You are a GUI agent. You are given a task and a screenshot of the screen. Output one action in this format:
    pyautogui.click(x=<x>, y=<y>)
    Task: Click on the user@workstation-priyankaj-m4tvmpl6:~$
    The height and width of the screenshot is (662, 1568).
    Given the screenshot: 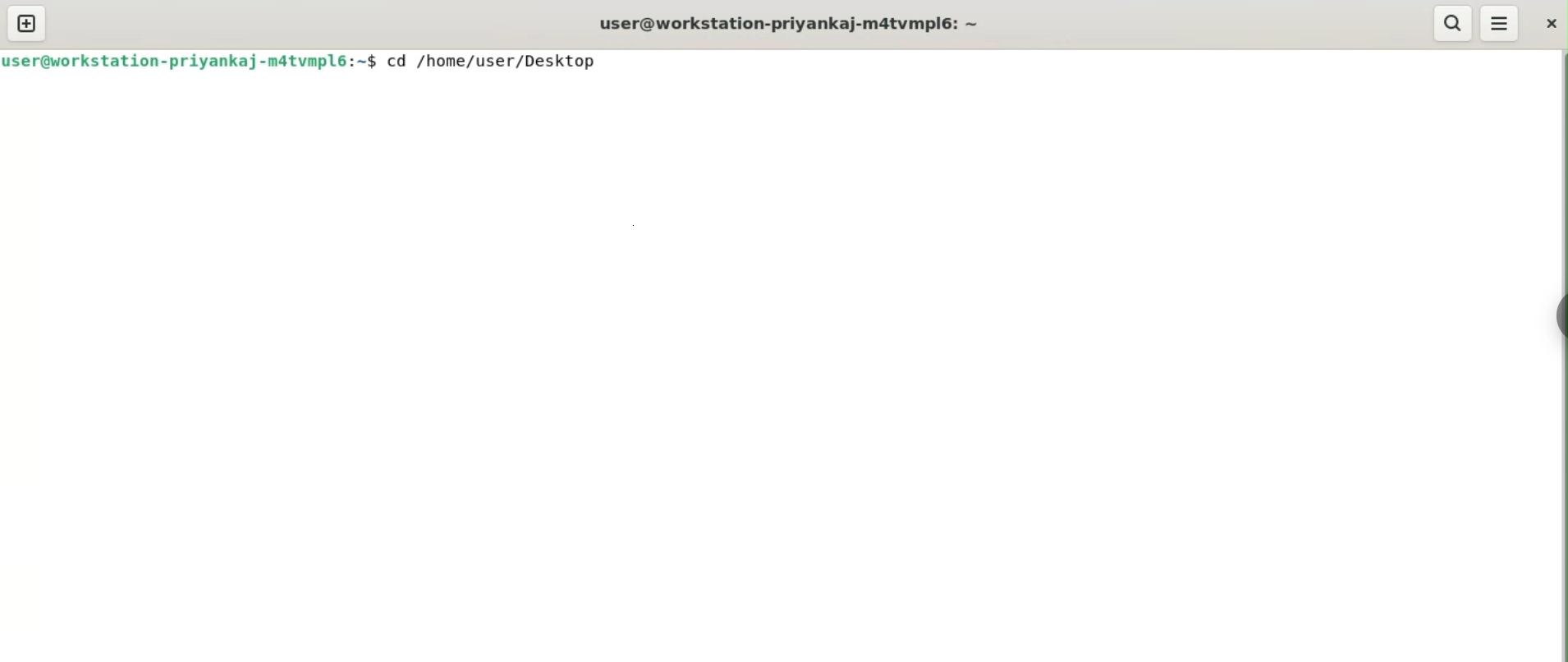 What is the action you would take?
    pyautogui.click(x=189, y=60)
    